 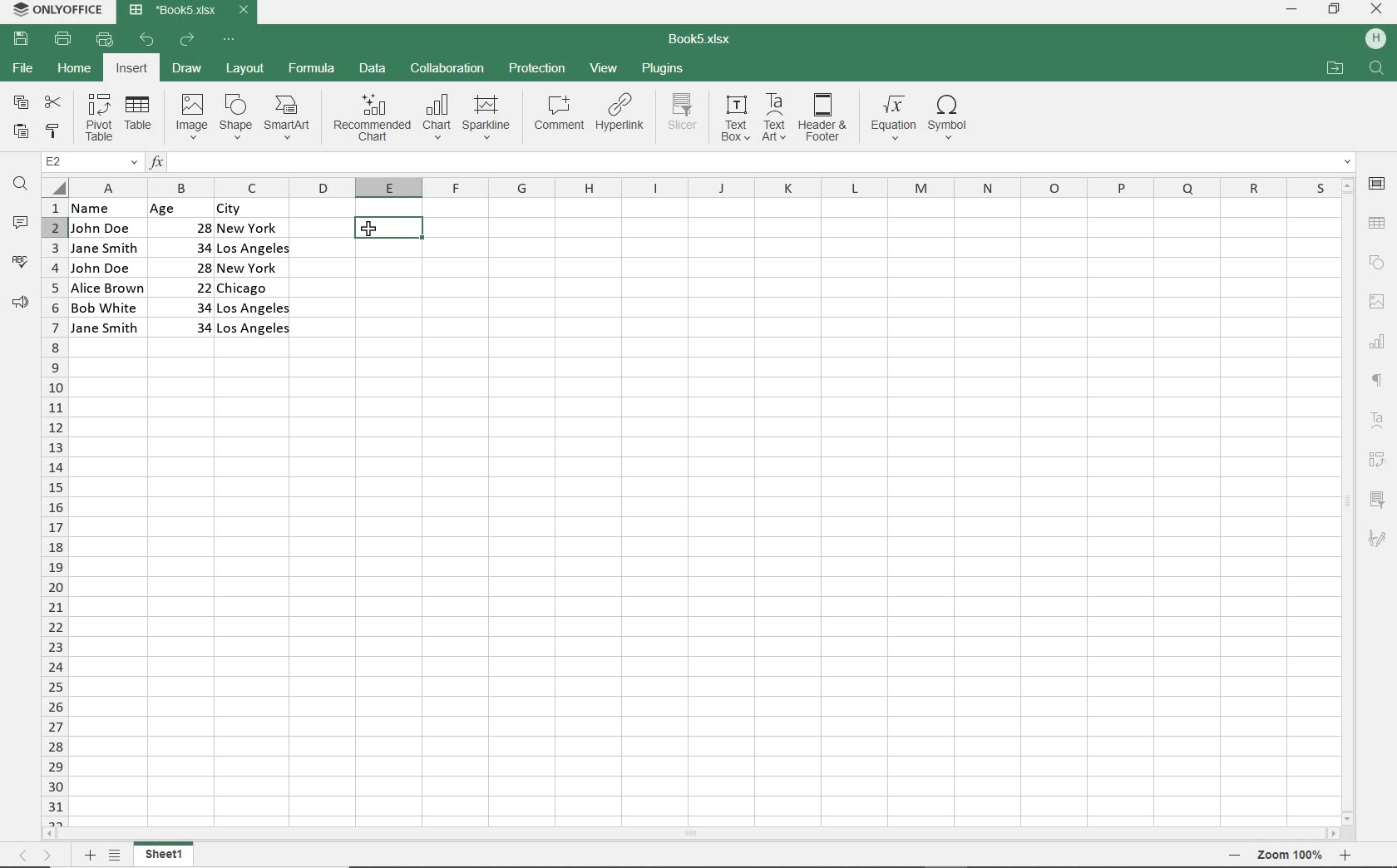 What do you see at coordinates (774, 118) in the screenshot?
I see `TEXT ART` at bounding box center [774, 118].